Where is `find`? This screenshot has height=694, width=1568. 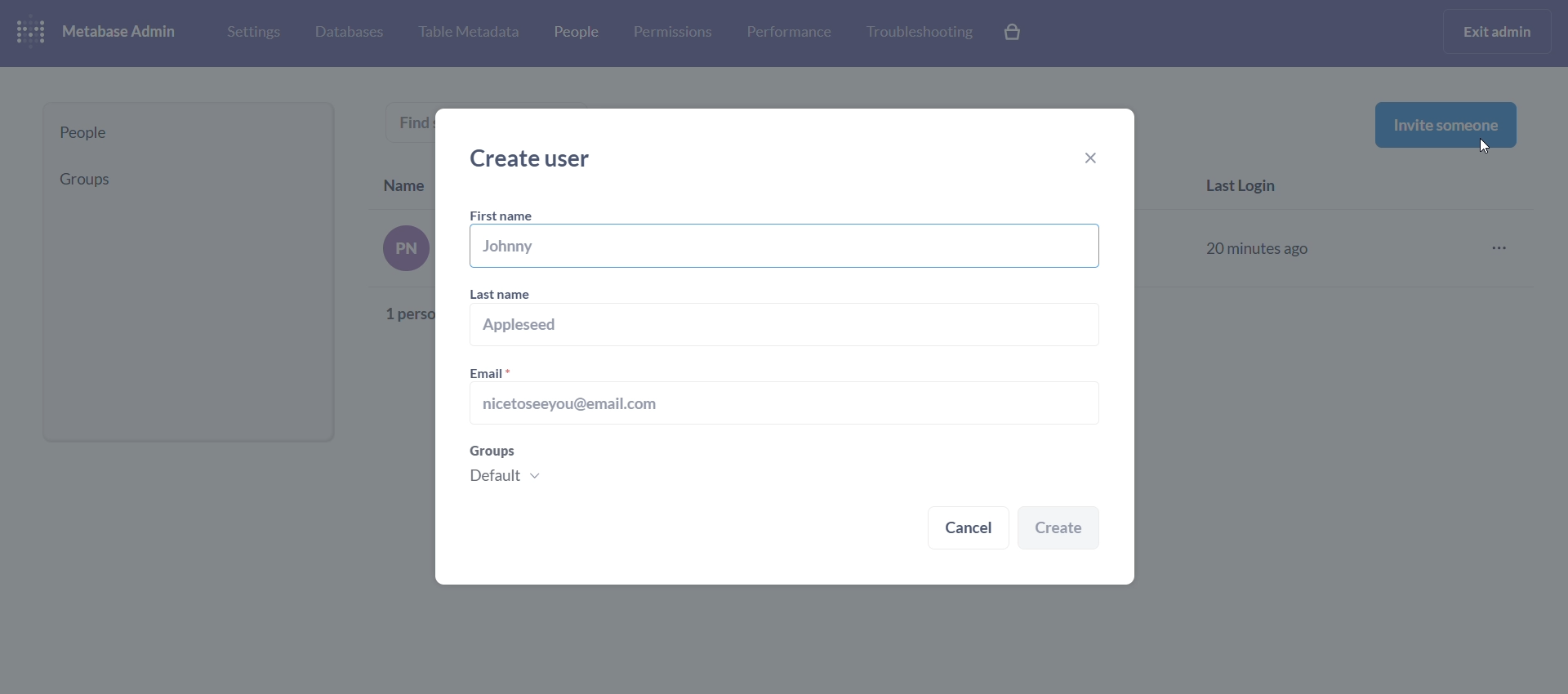 find is located at coordinates (412, 125).